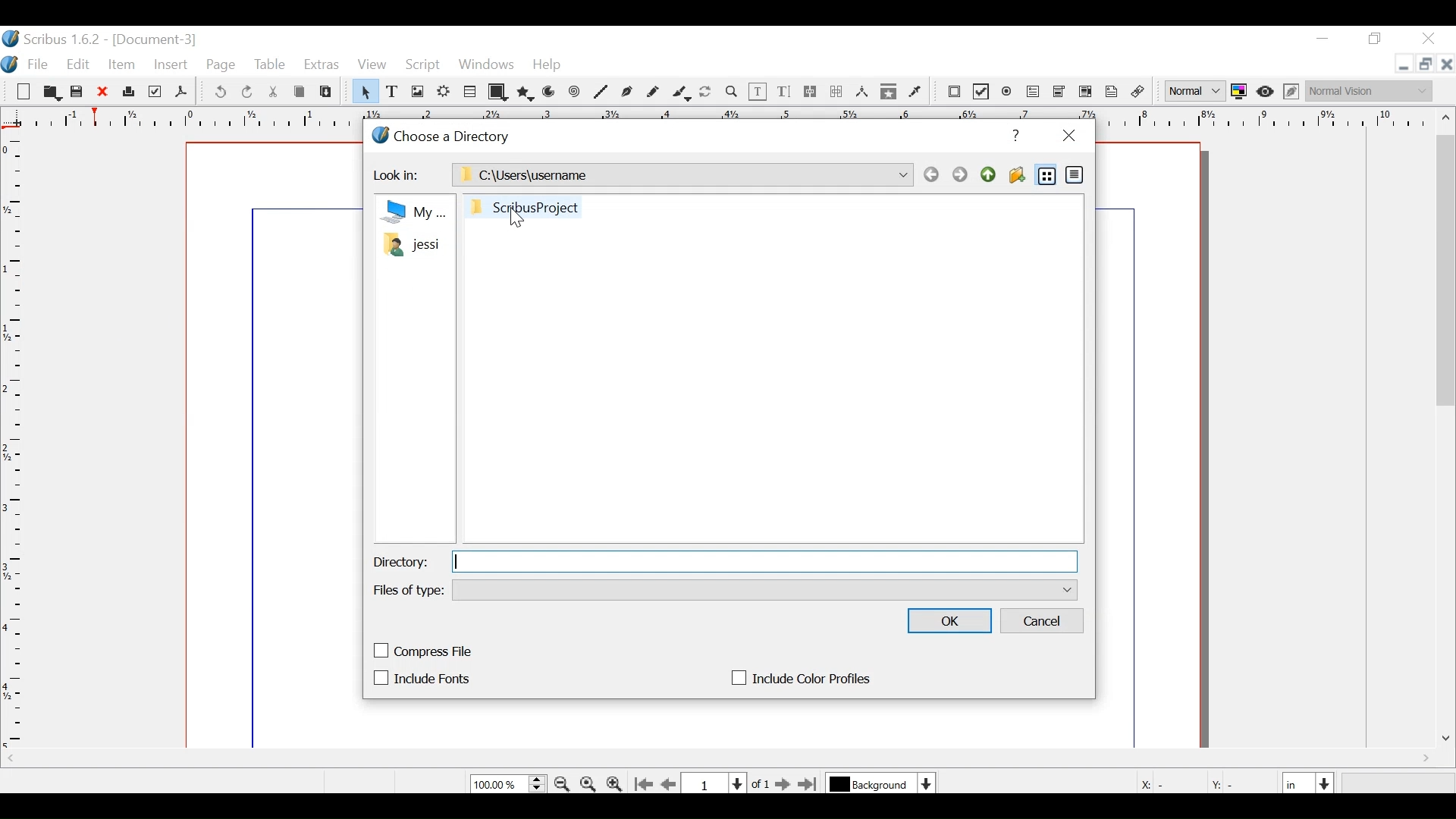 The height and width of the screenshot is (819, 1456). Describe the element at coordinates (779, 784) in the screenshot. I see `Go to the next Page` at that location.